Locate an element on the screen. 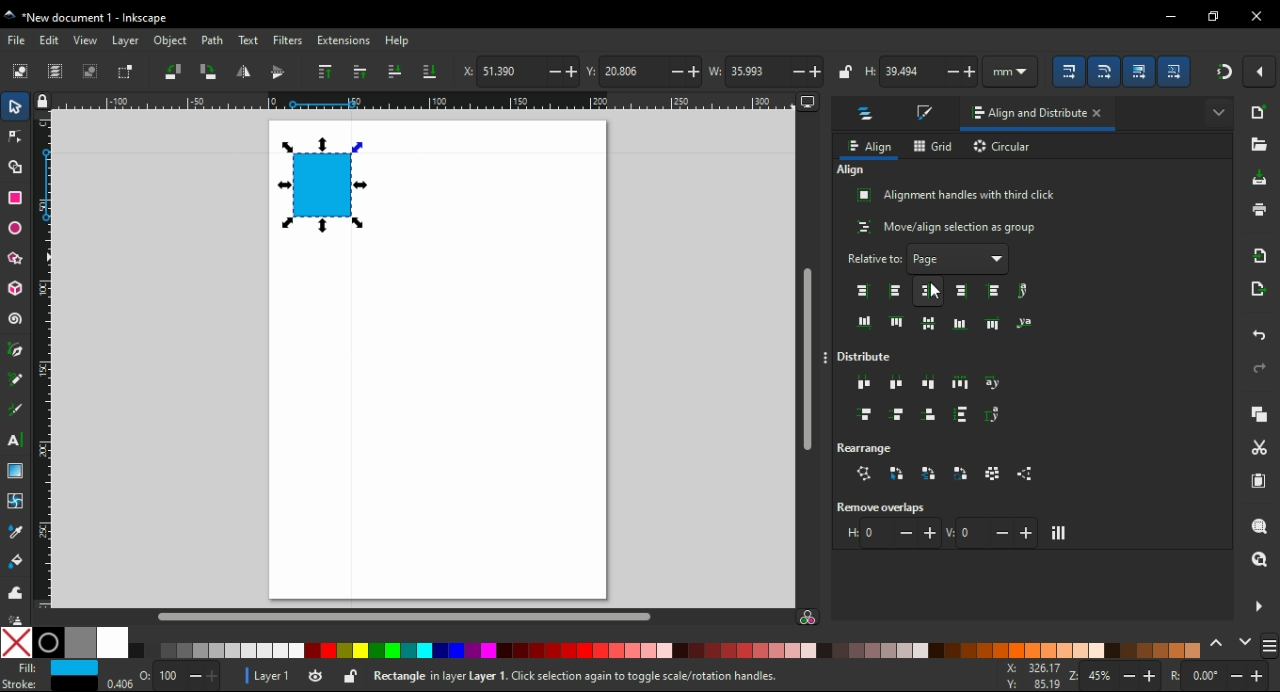  distribute horizontally with even spacing between right edges is located at coordinates (931, 382).